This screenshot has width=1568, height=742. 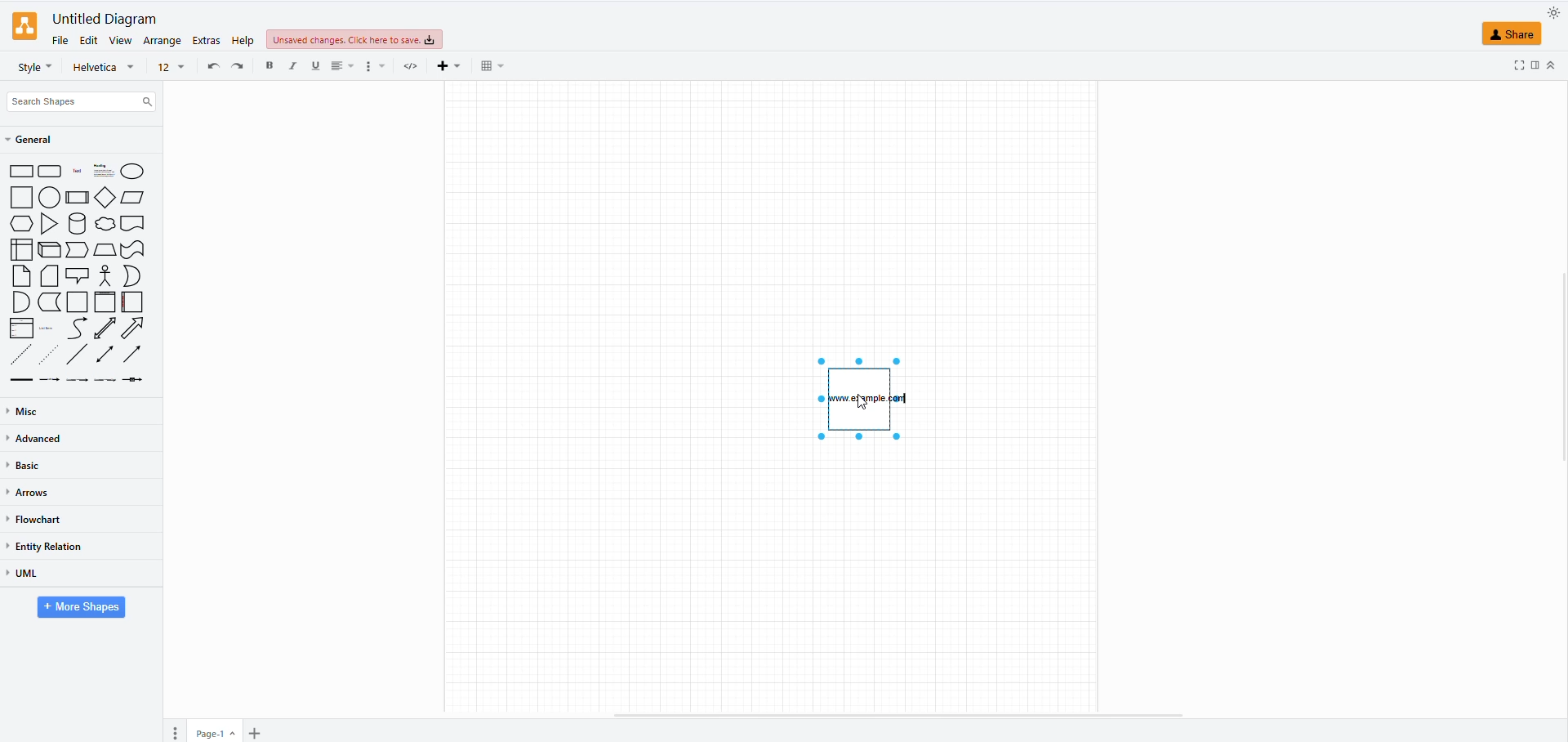 I want to click on bidirectional connector, so click(x=105, y=355).